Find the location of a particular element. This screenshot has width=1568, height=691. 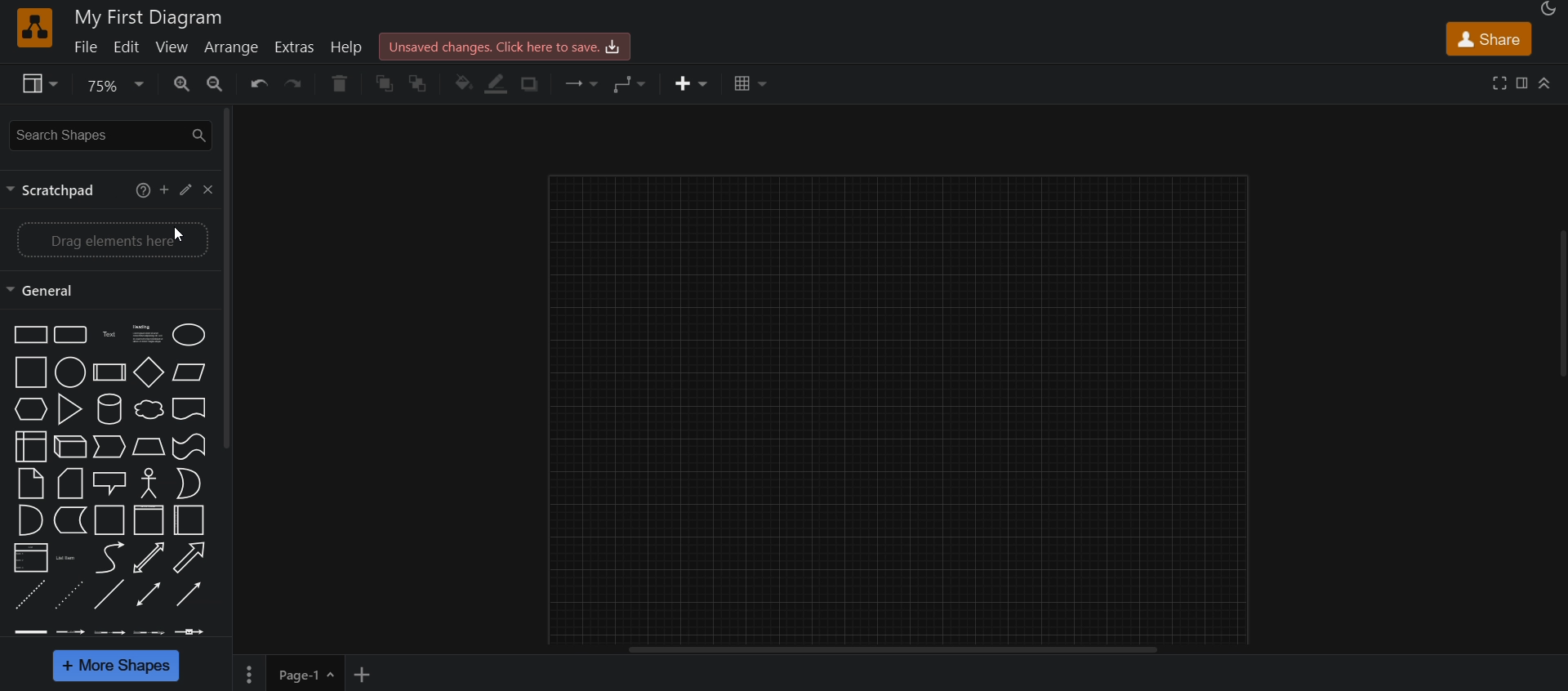

drag elements here is located at coordinates (110, 240).